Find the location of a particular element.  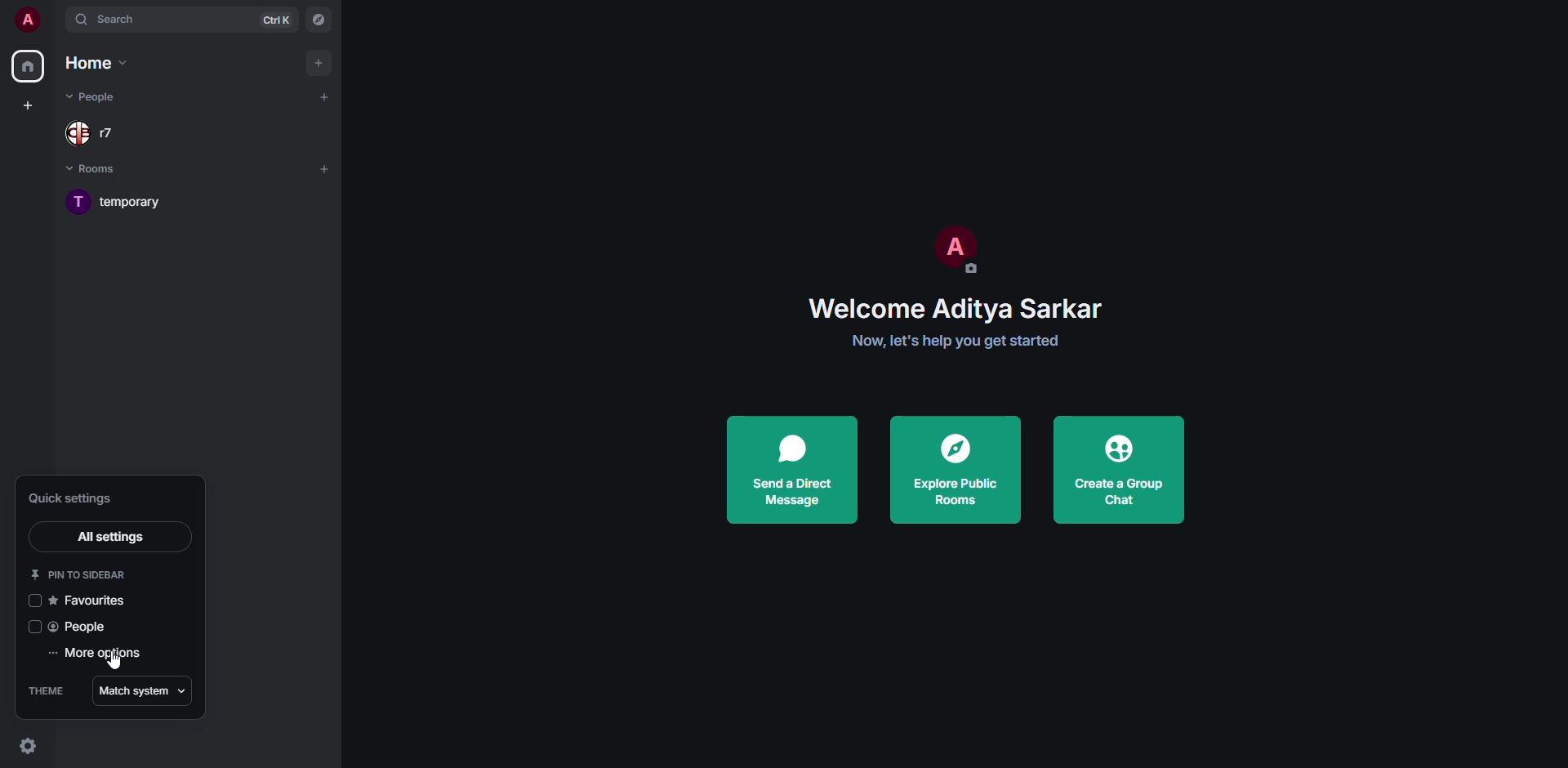

room is located at coordinates (140, 200).